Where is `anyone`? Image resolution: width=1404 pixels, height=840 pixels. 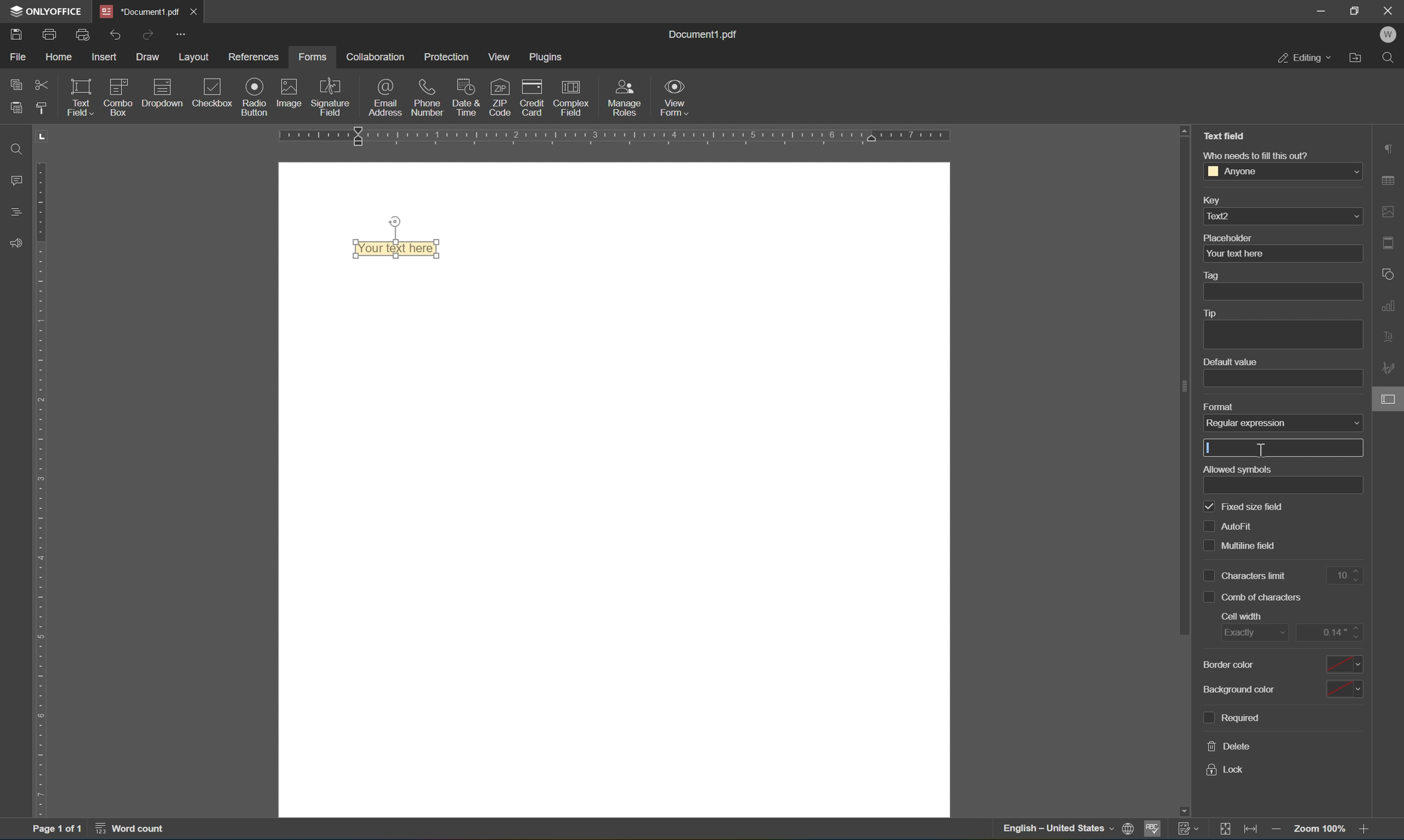
anyone is located at coordinates (1281, 171).